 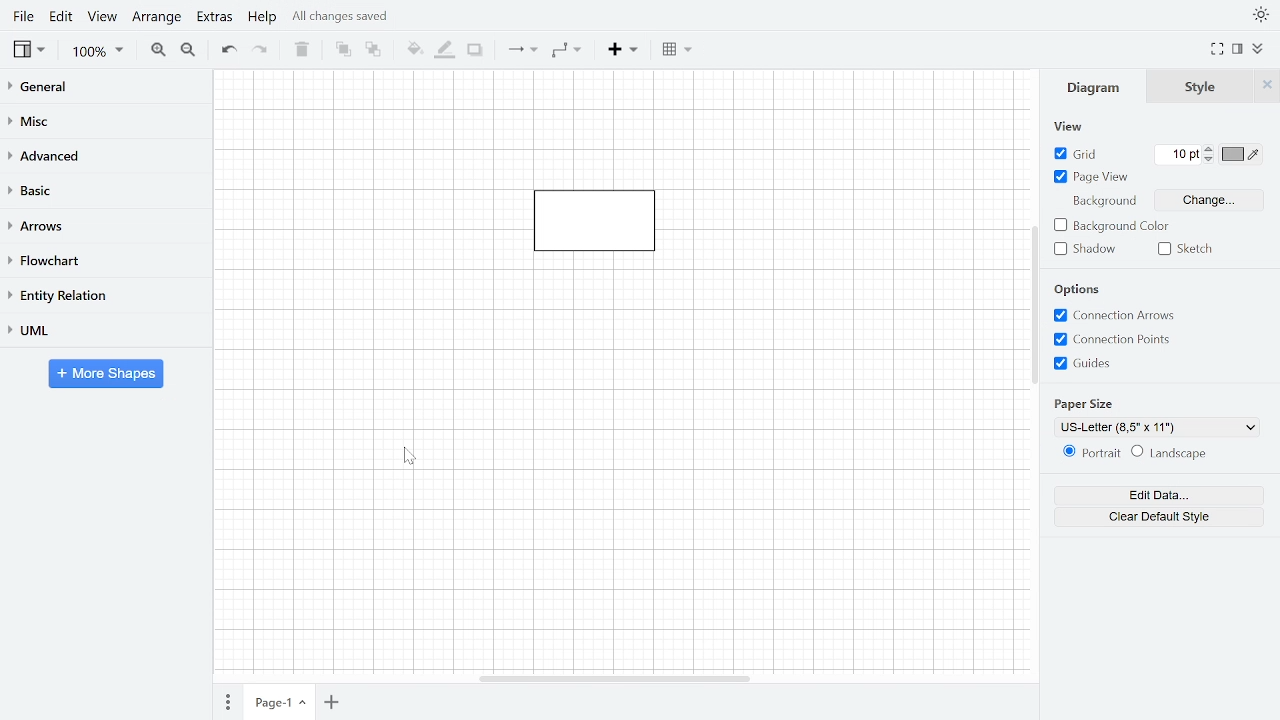 I want to click on Advanced, so click(x=106, y=155).